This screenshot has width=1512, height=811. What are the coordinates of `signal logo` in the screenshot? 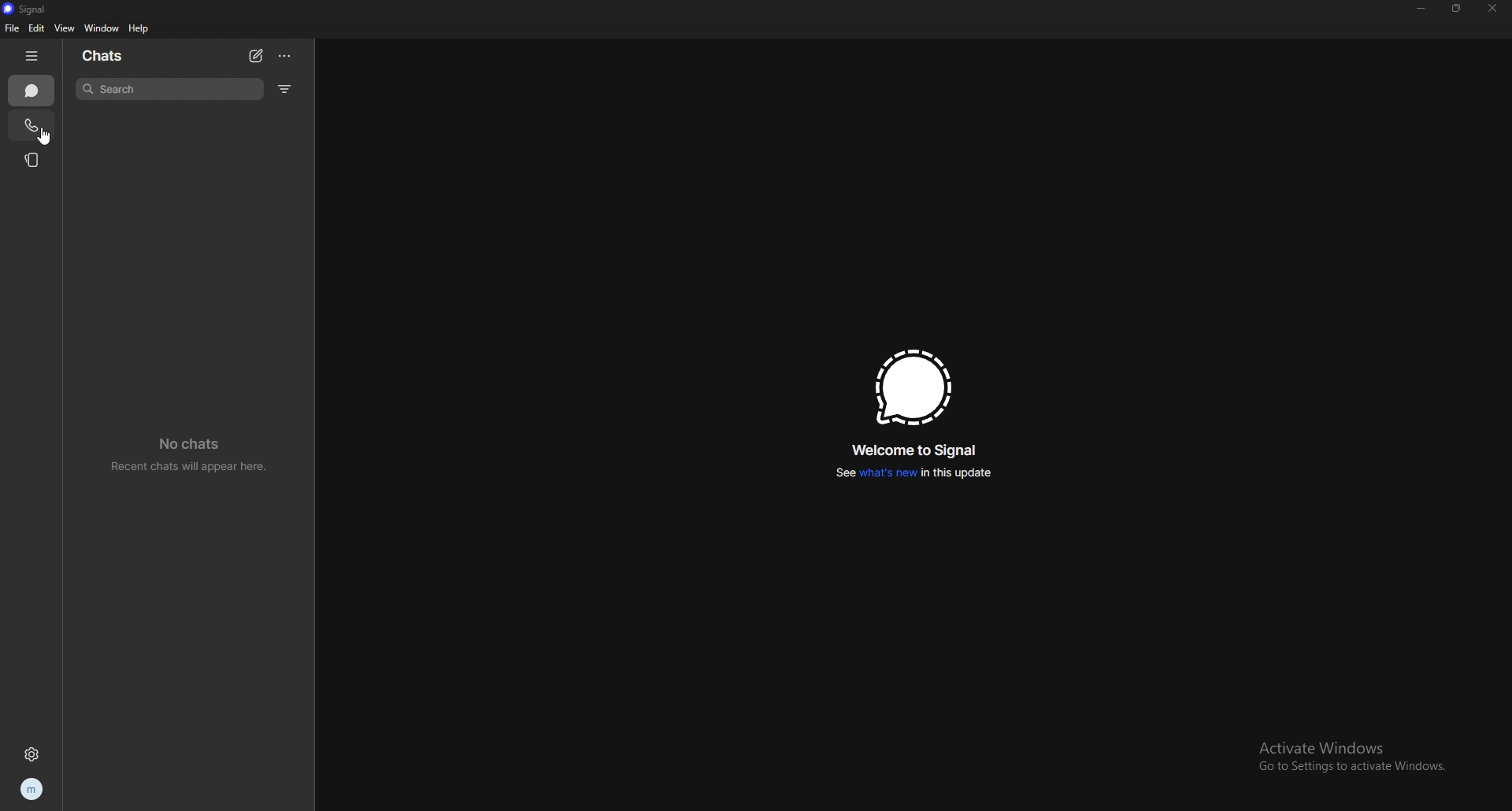 It's located at (913, 387).